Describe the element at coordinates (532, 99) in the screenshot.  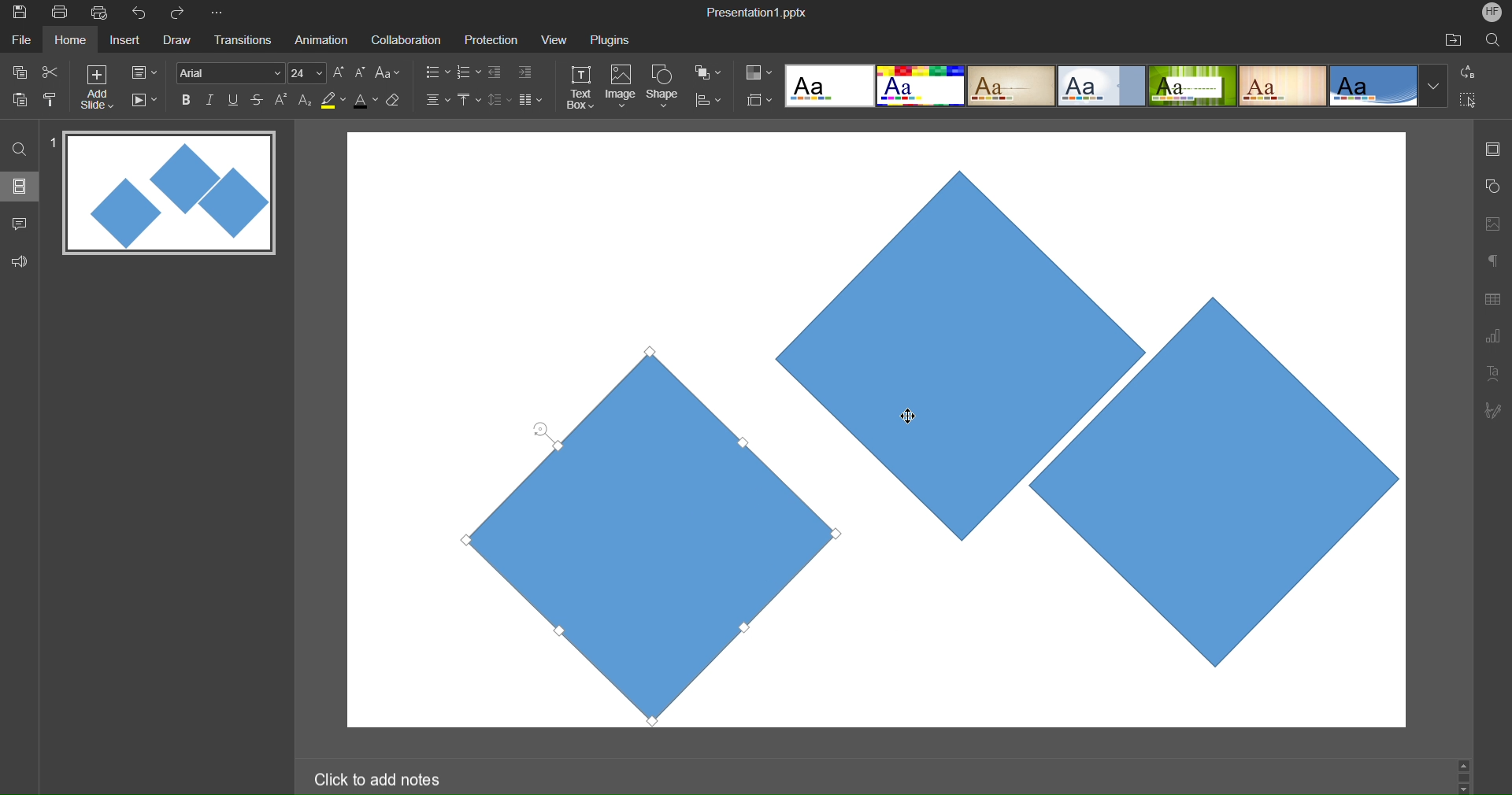
I see `Columns` at that location.